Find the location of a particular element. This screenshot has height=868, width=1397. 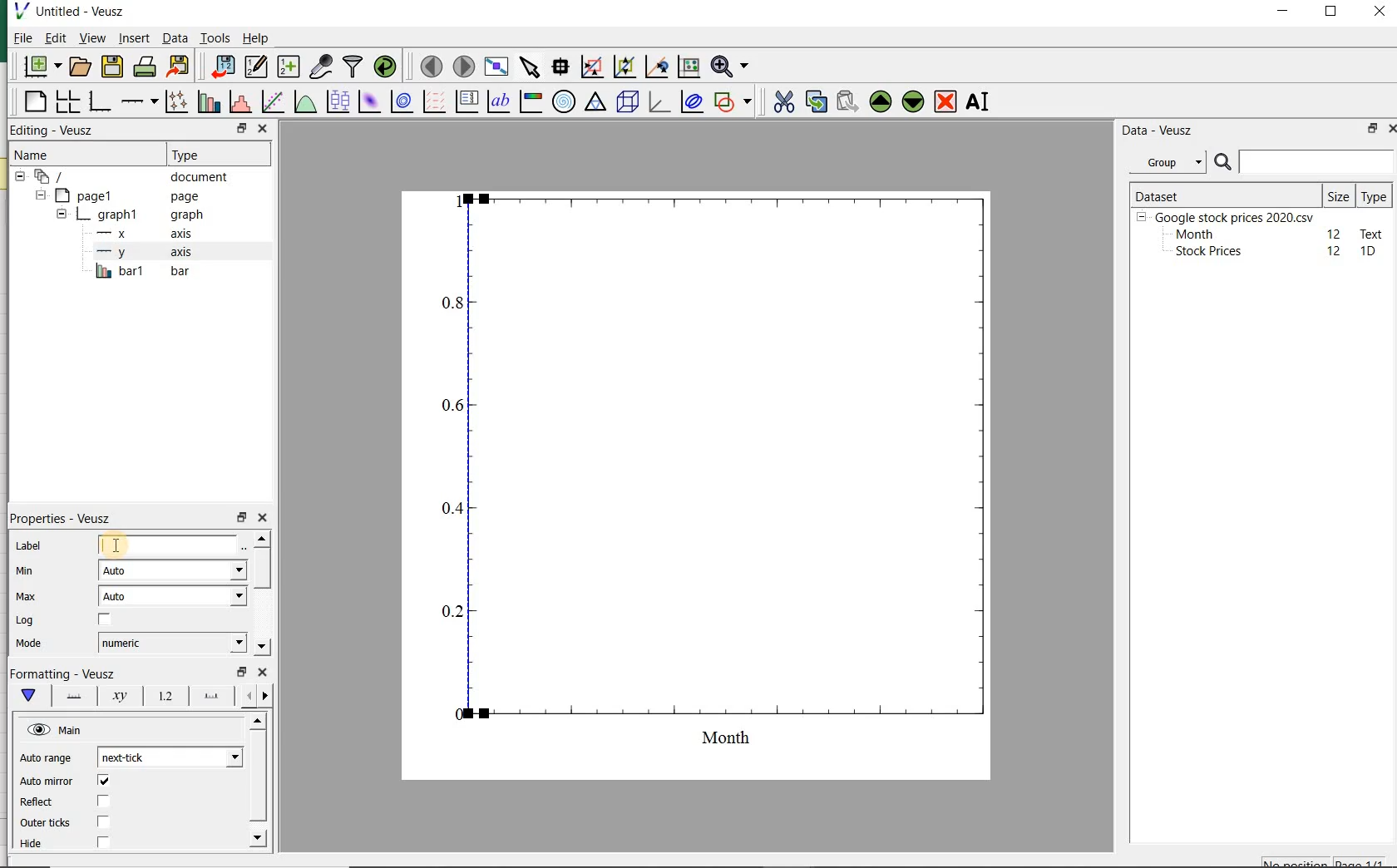

Tools is located at coordinates (215, 38).